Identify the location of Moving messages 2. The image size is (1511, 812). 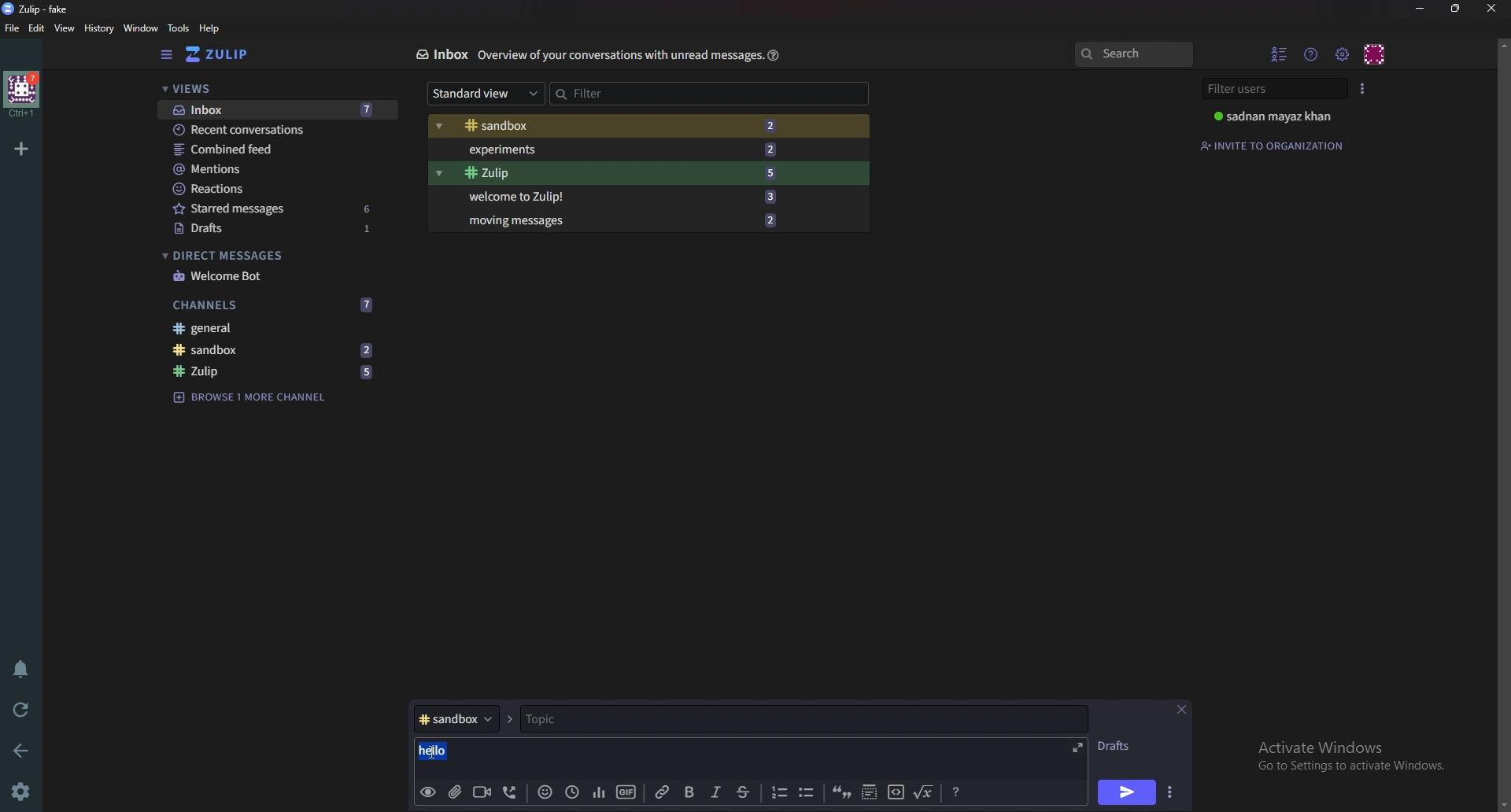
(619, 218).